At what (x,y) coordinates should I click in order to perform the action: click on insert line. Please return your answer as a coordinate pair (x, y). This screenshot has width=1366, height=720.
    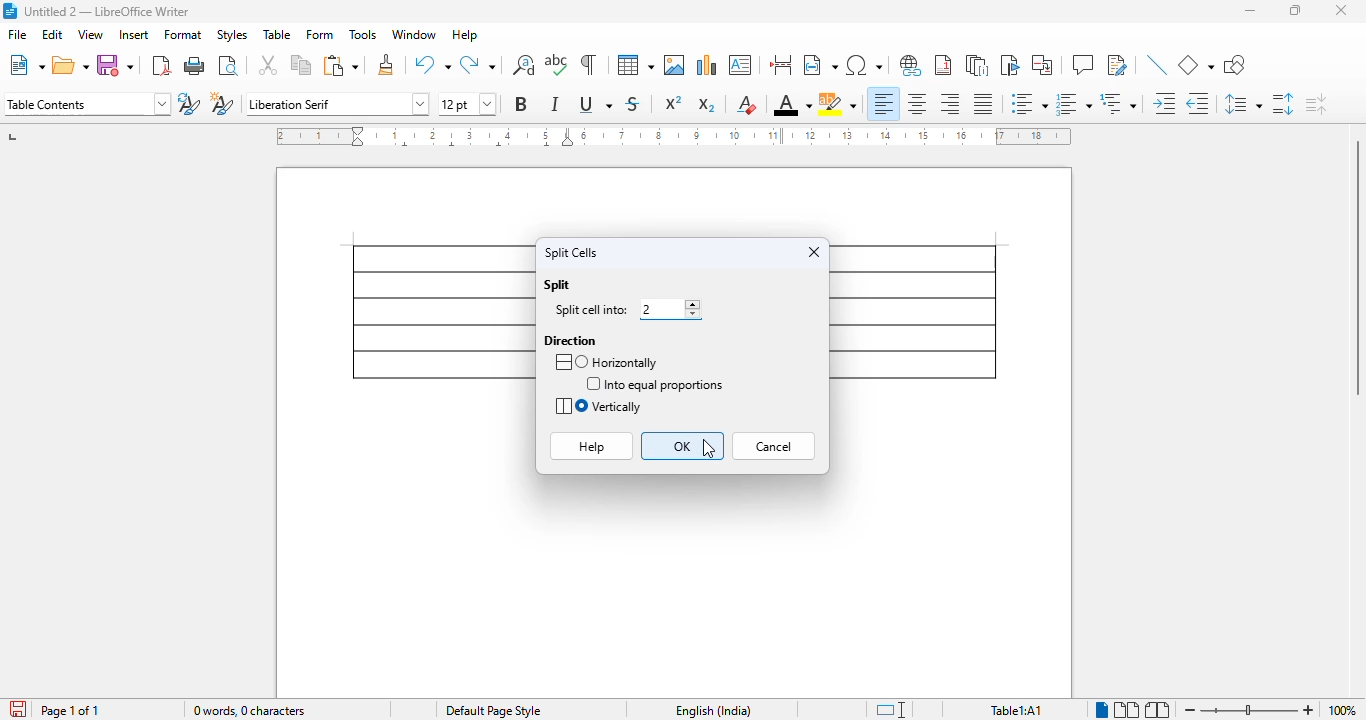
    Looking at the image, I should click on (1159, 65).